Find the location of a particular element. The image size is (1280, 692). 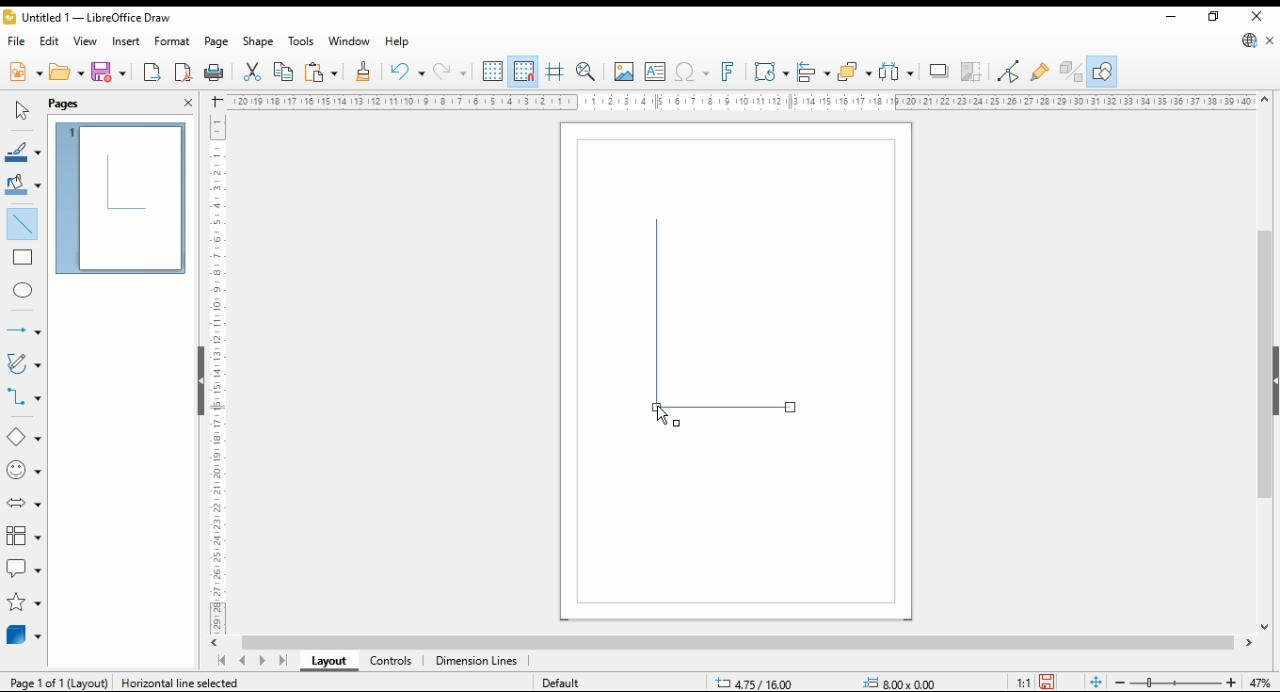

 is located at coordinates (890, 680).